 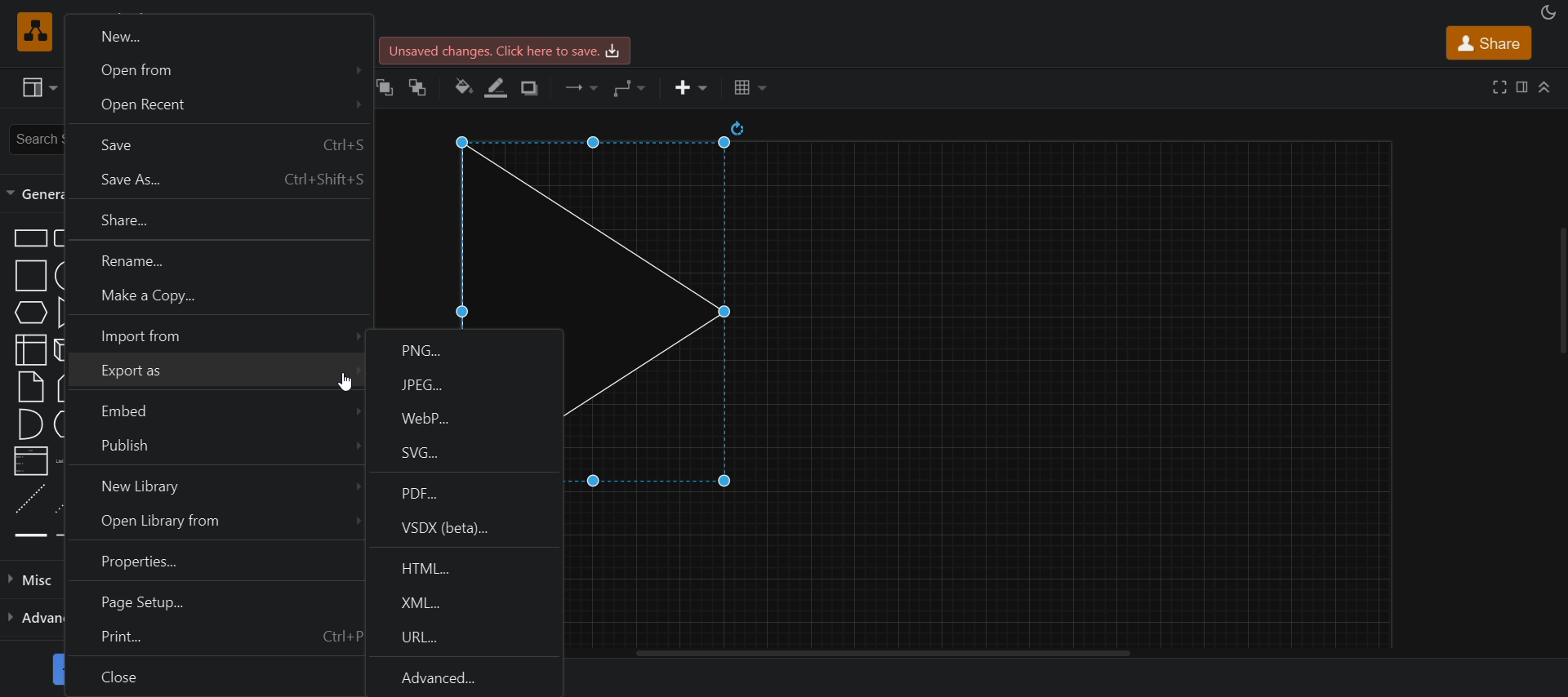 What do you see at coordinates (214, 261) in the screenshot?
I see `rename` at bounding box center [214, 261].